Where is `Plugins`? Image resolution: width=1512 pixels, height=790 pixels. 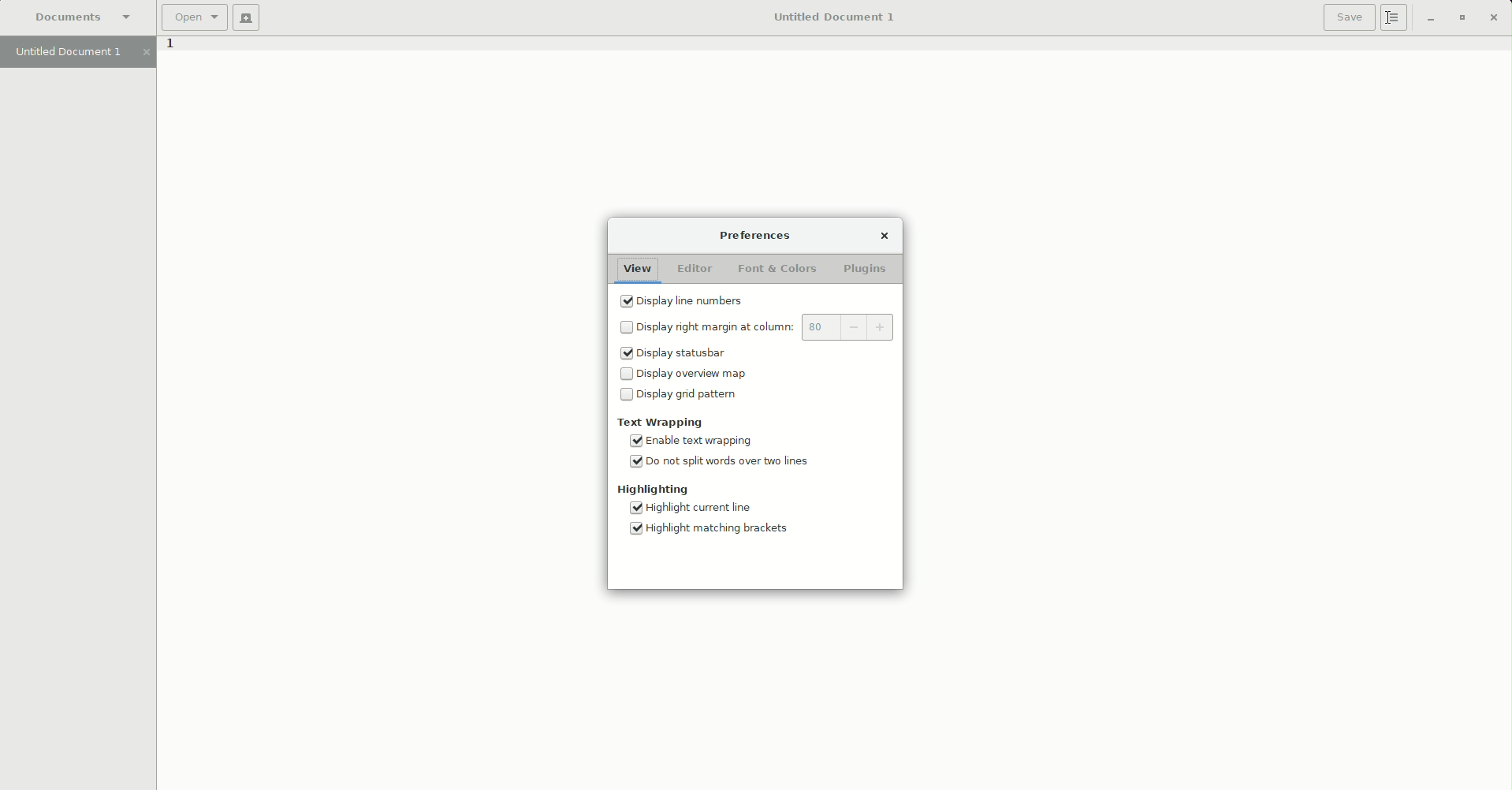 Plugins is located at coordinates (868, 270).